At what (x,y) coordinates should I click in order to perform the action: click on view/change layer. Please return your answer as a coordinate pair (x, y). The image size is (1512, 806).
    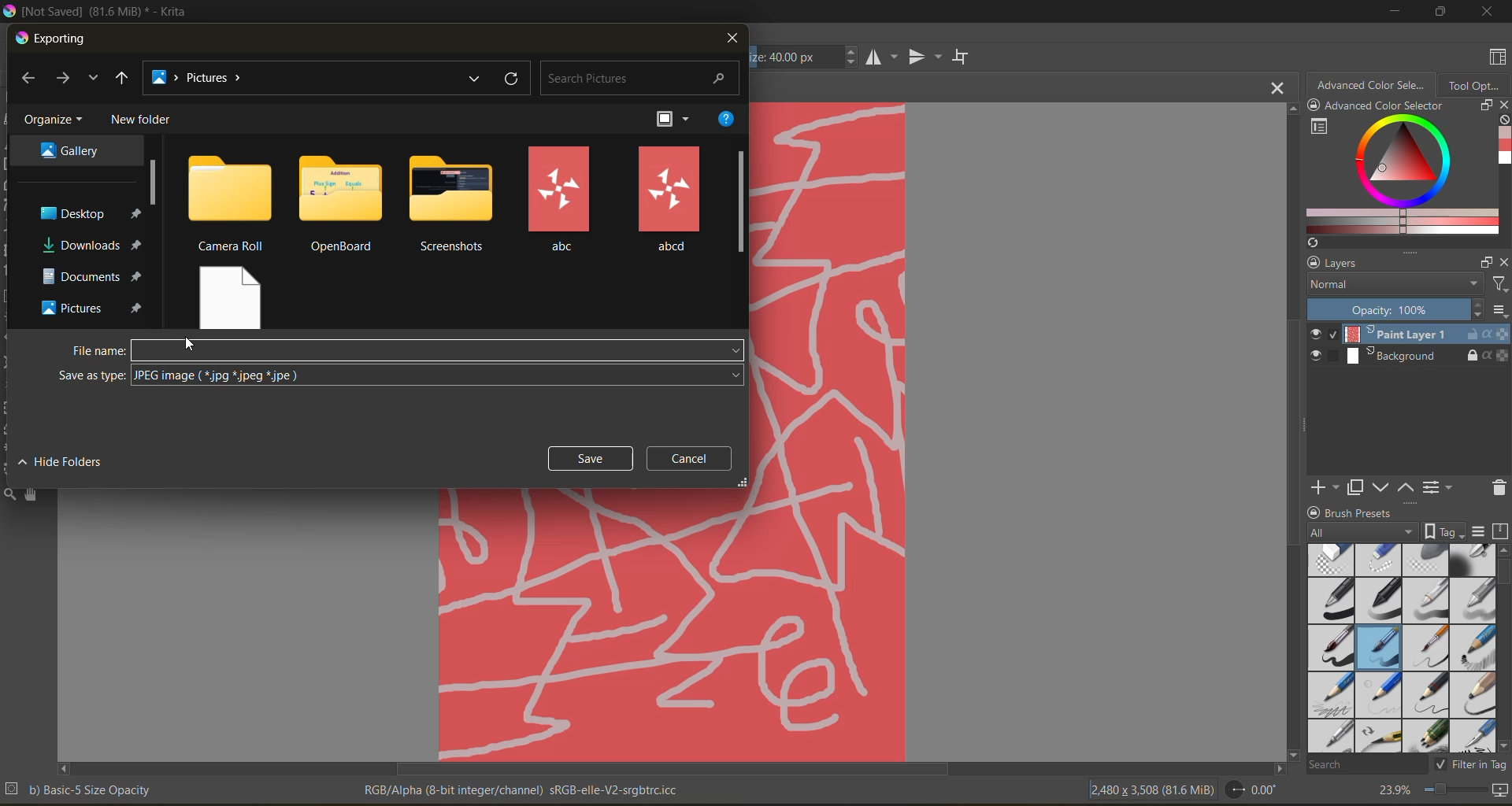
    Looking at the image, I should click on (1442, 486).